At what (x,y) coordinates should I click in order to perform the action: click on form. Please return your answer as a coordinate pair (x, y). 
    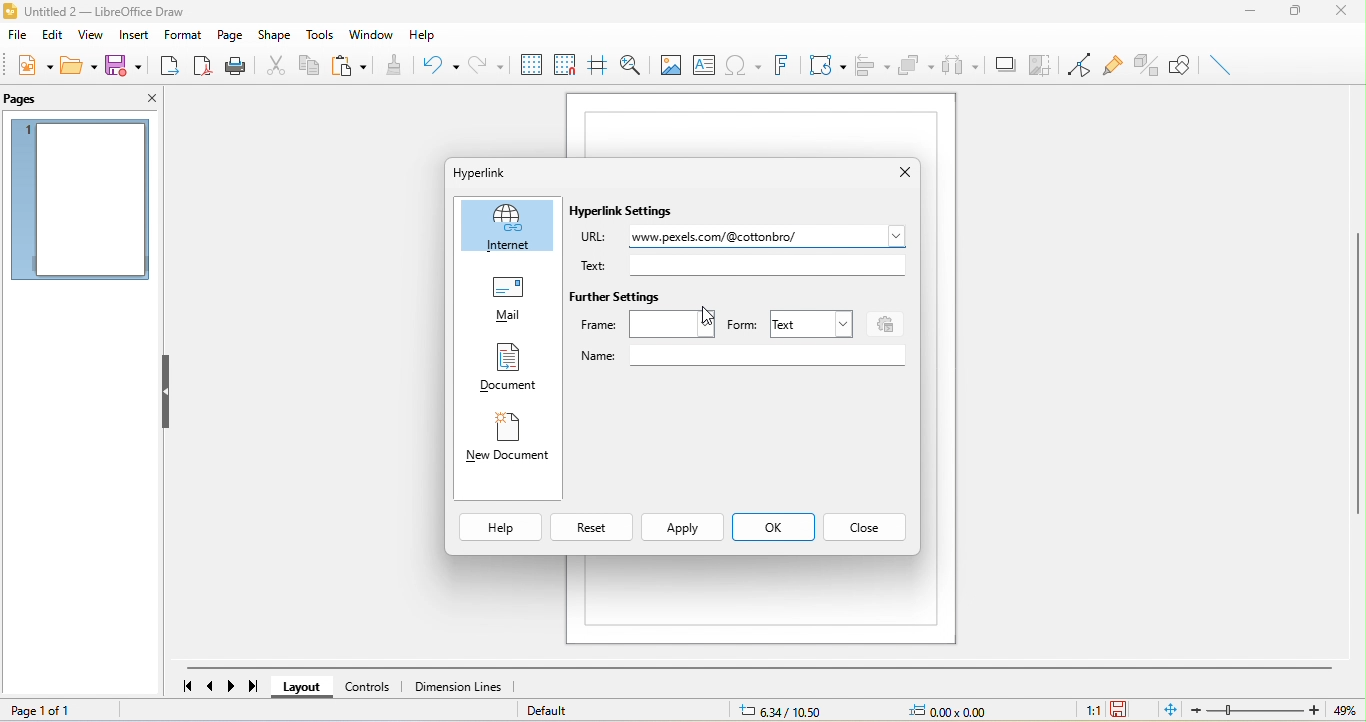
    Looking at the image, I should click on (742, 324).